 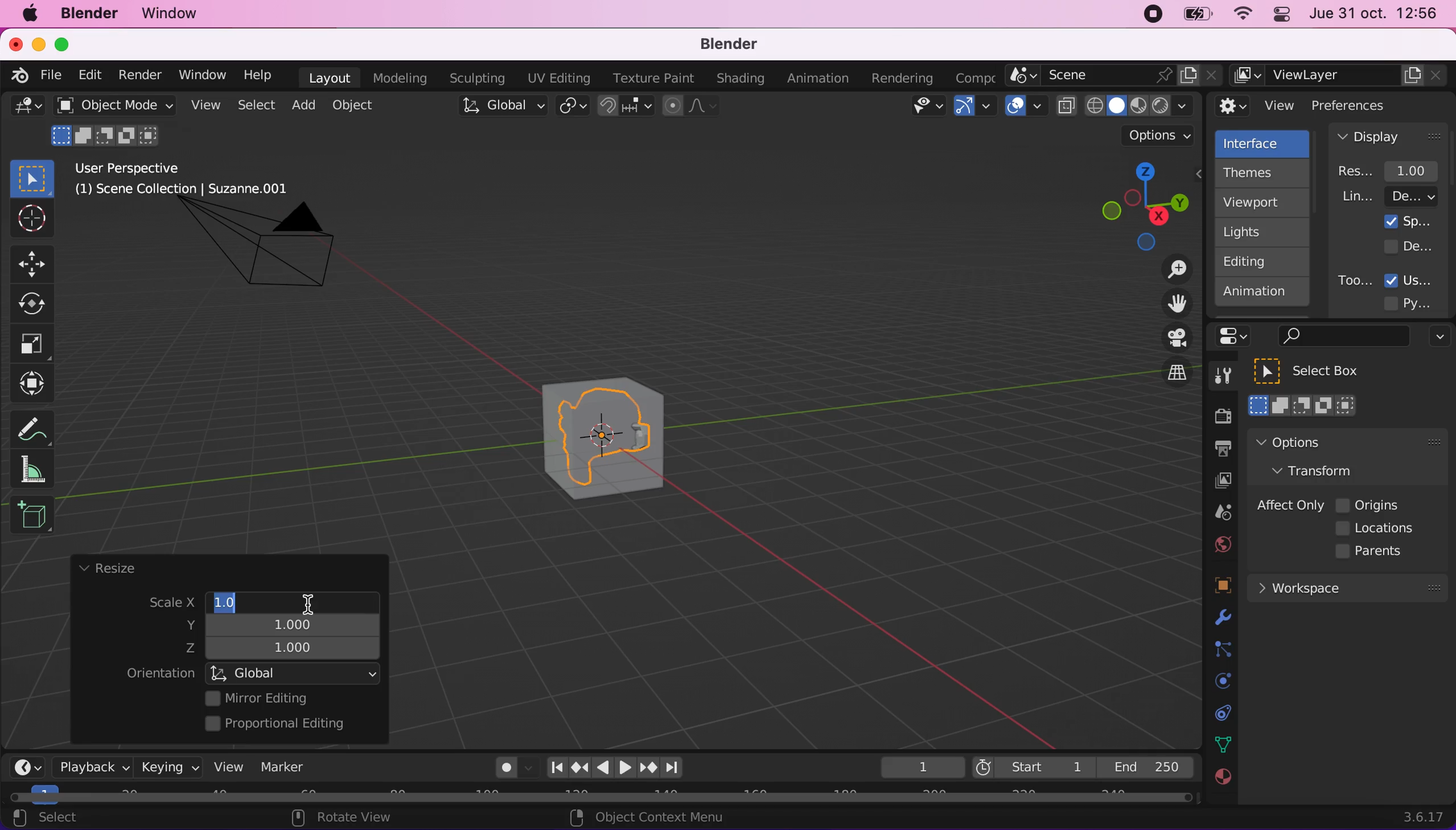 I want to click on output, so click(x=1217, y=450).